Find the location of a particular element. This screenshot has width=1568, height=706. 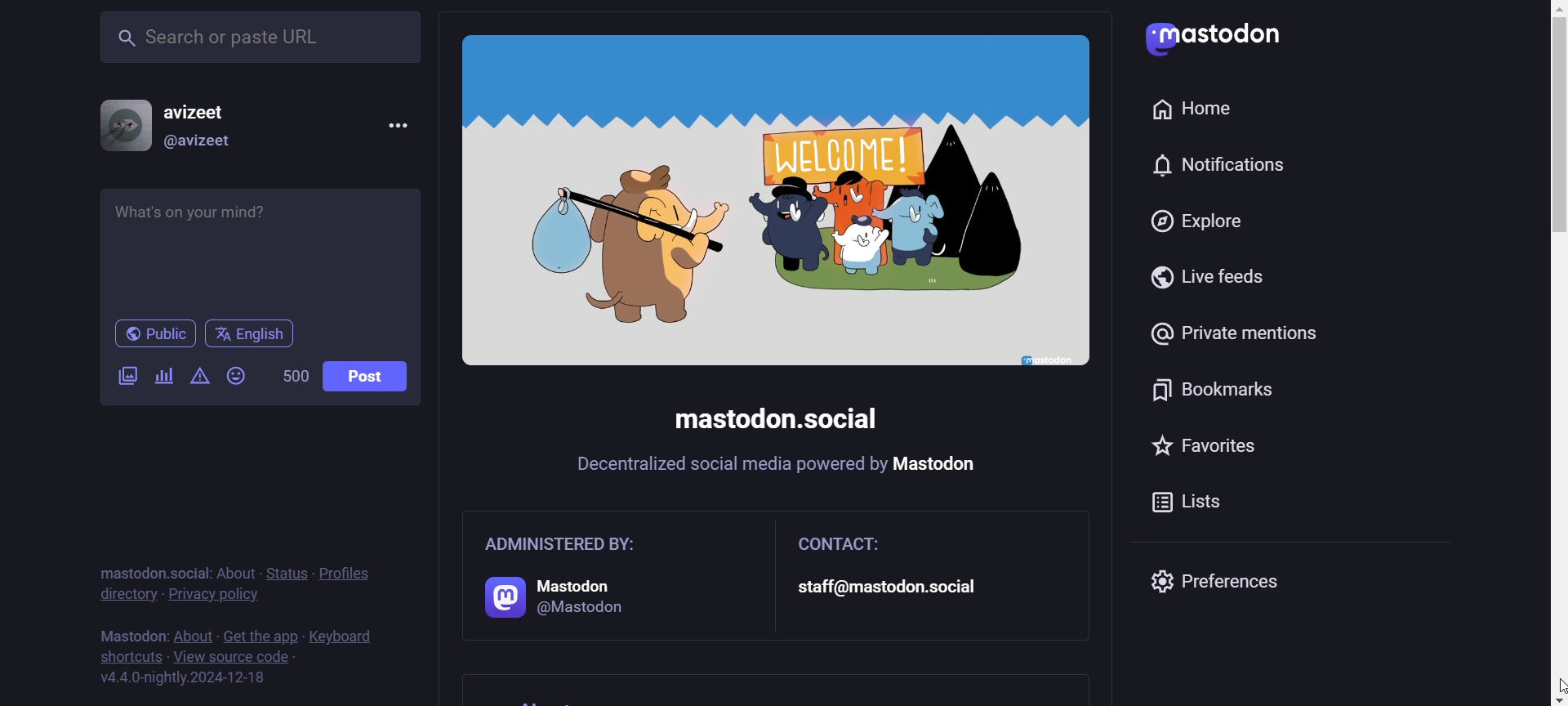

about is located at coordinates (192, 637).